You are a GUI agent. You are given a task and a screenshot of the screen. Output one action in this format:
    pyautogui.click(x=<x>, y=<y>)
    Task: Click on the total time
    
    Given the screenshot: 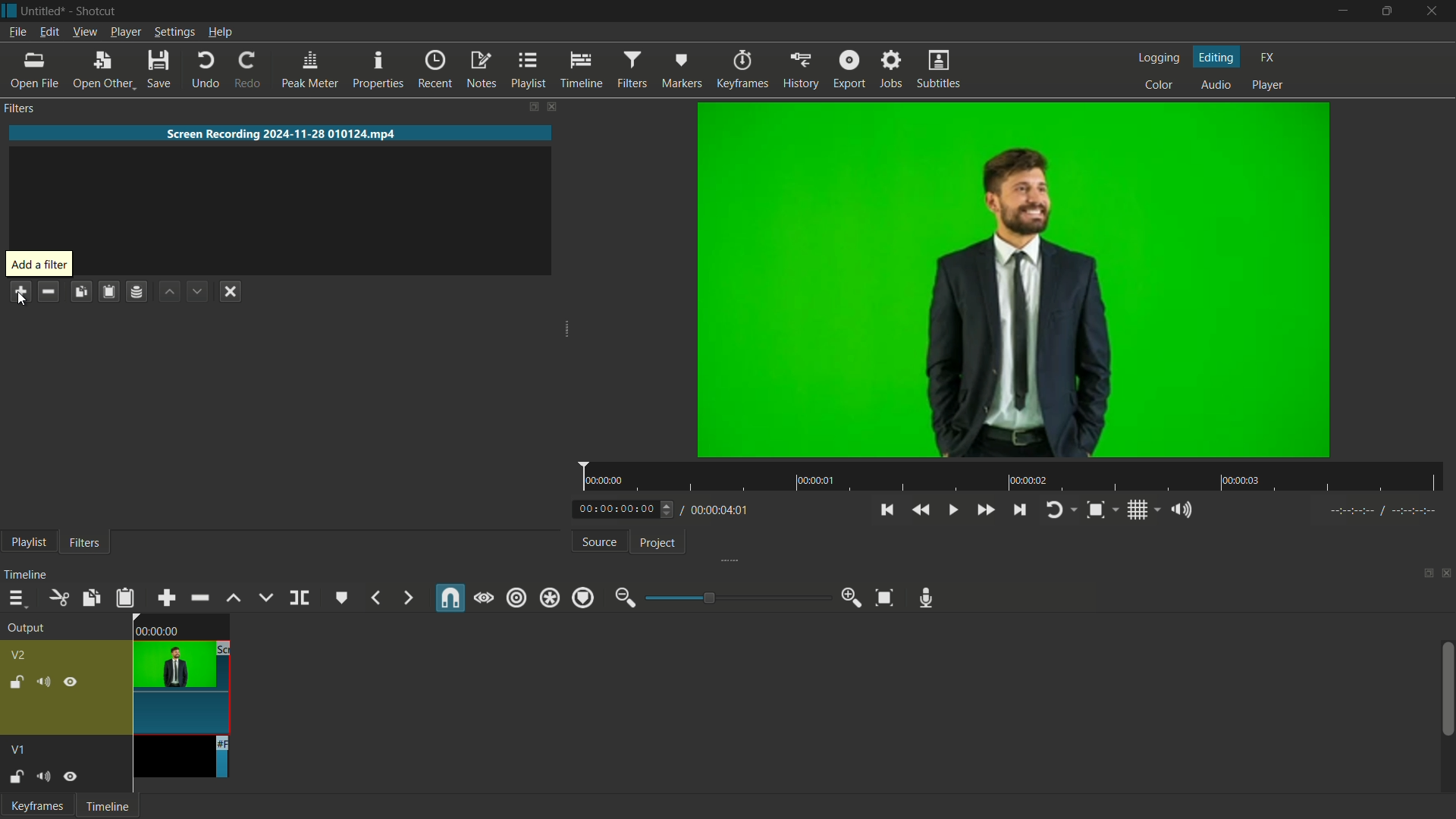 What is the action you would take?
    pyautogui.click(x=717, y=510)
    